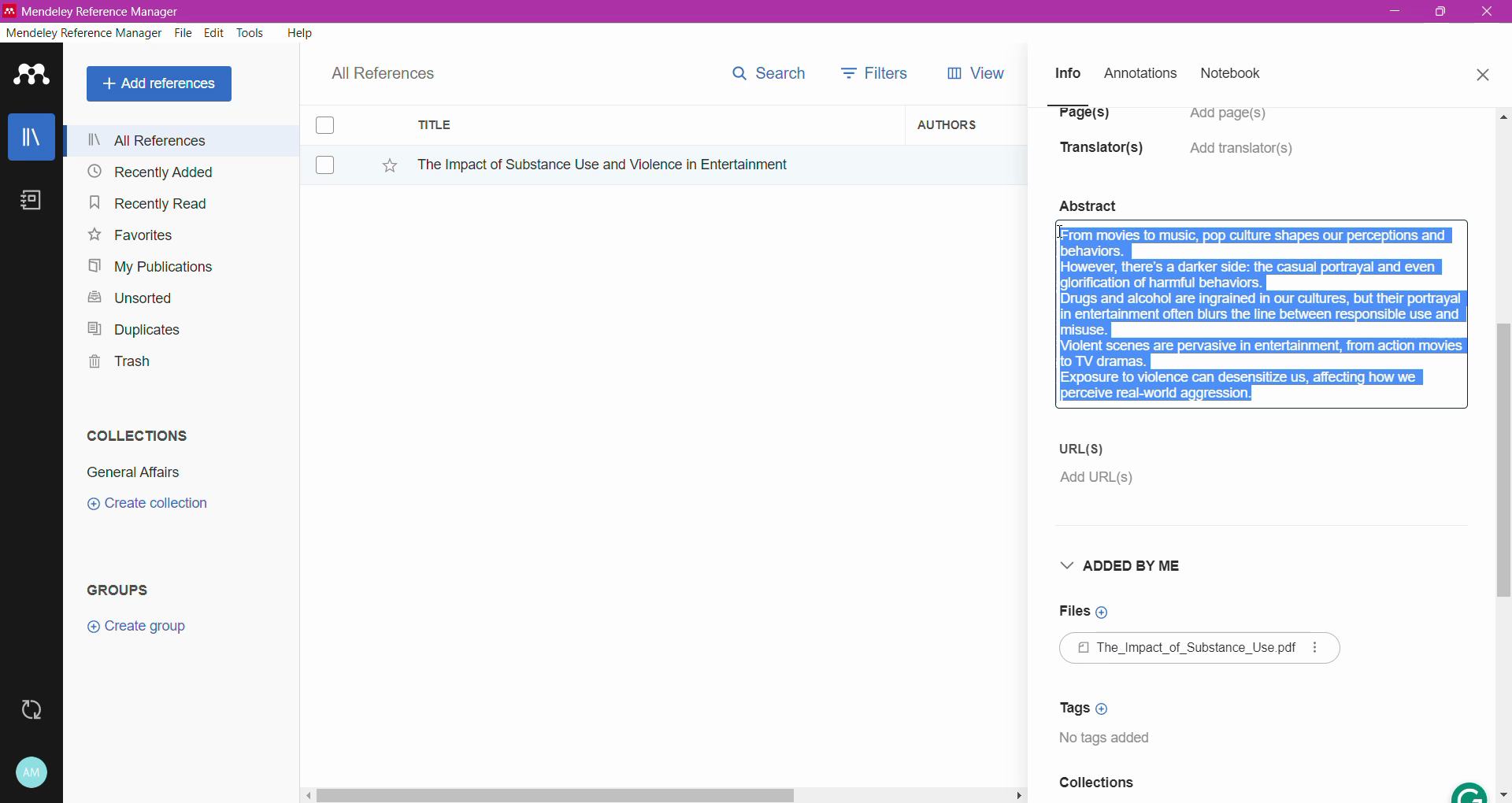  What do you see at coordinates (1127, 568) in the screenshot?
I see `Added By Me` at bounding box center [1127, 568].